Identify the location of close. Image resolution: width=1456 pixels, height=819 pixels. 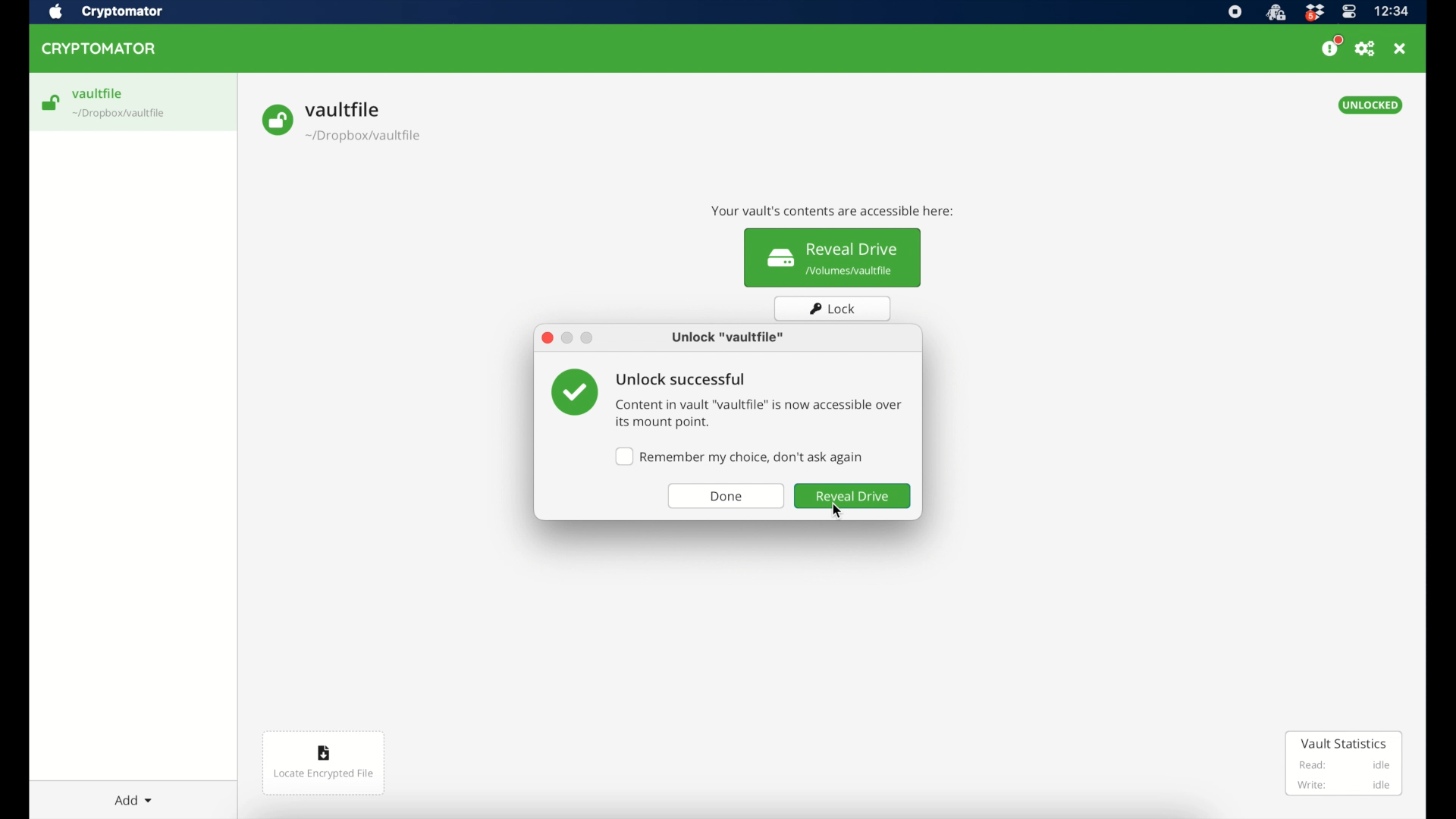
(546, 338).